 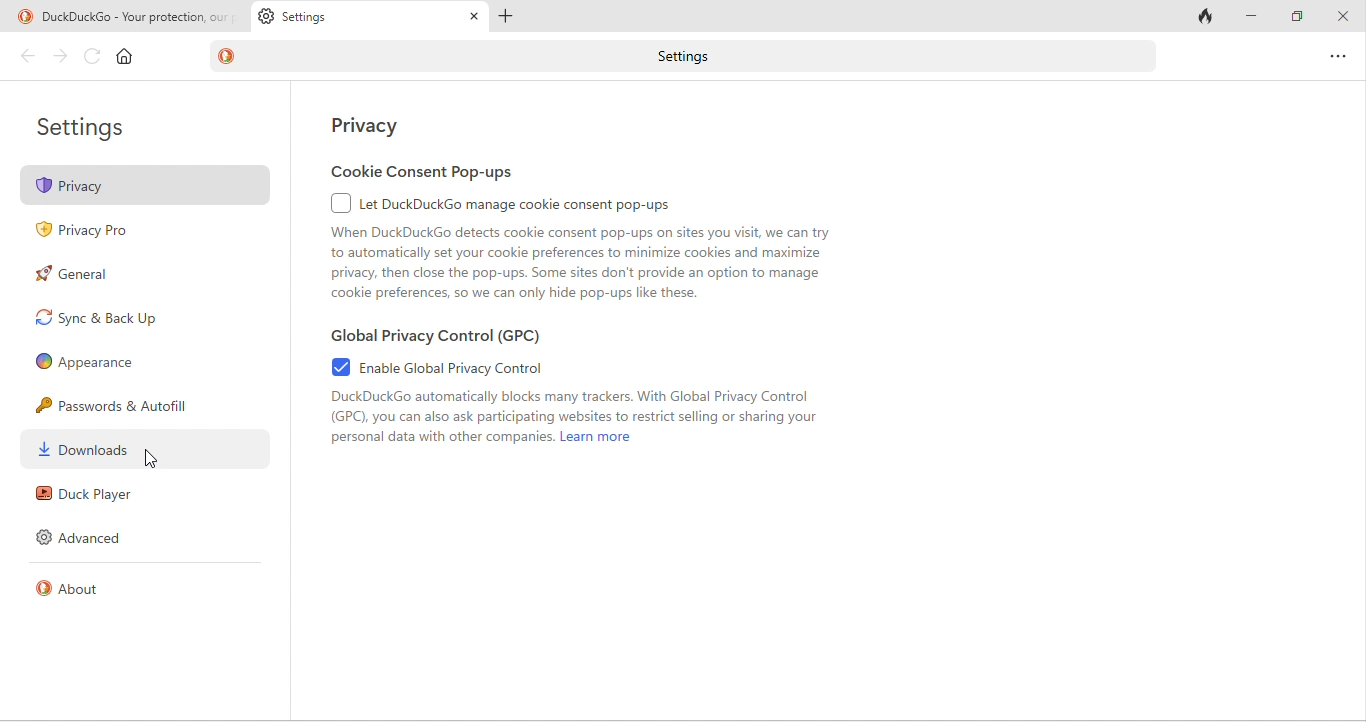 I want to click on minimize, so click(x=1252, y=17).